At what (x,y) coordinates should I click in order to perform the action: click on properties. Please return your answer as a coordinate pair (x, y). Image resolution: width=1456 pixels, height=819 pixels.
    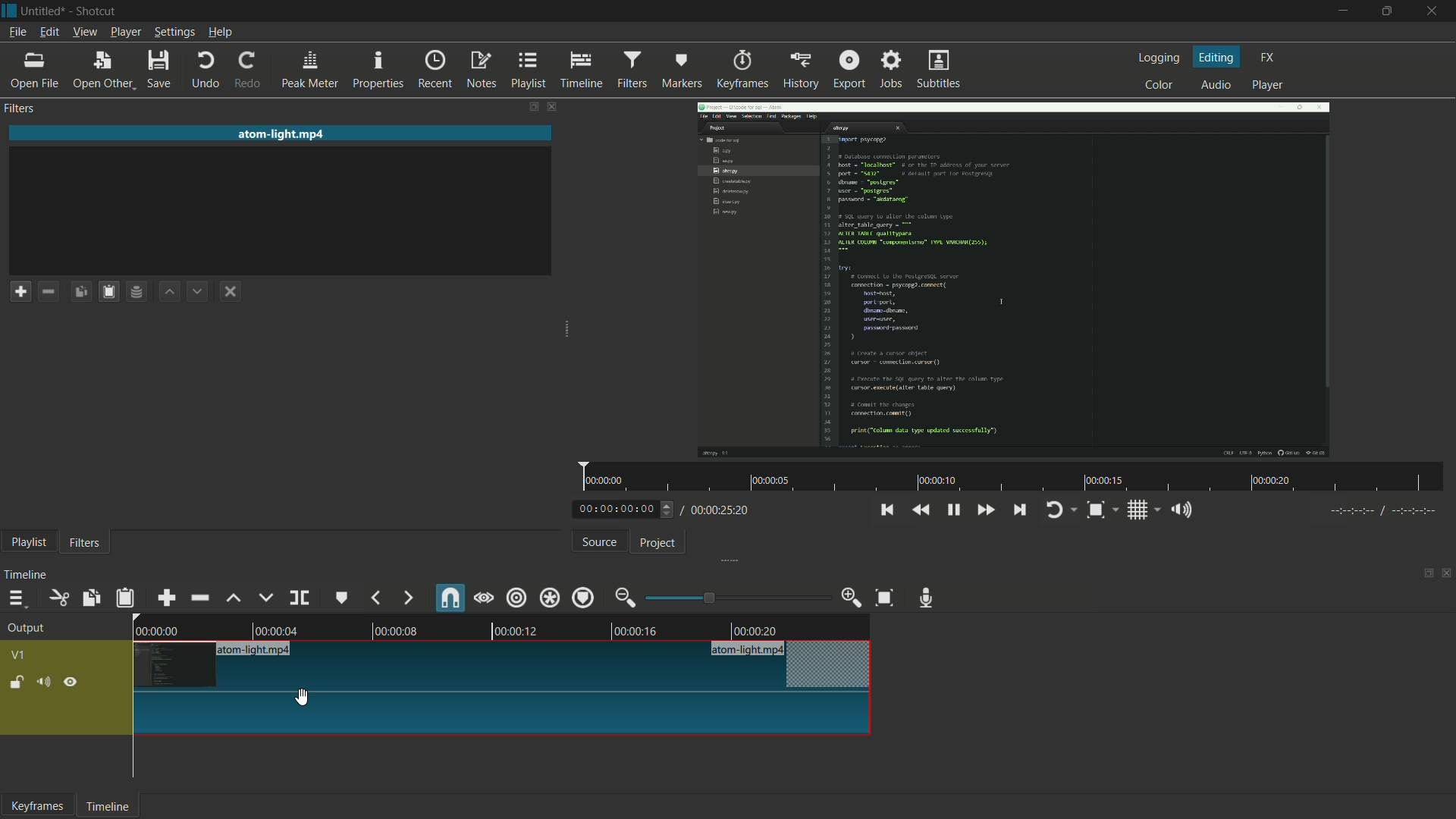
    Looking at the image, I should click on (377, 69).